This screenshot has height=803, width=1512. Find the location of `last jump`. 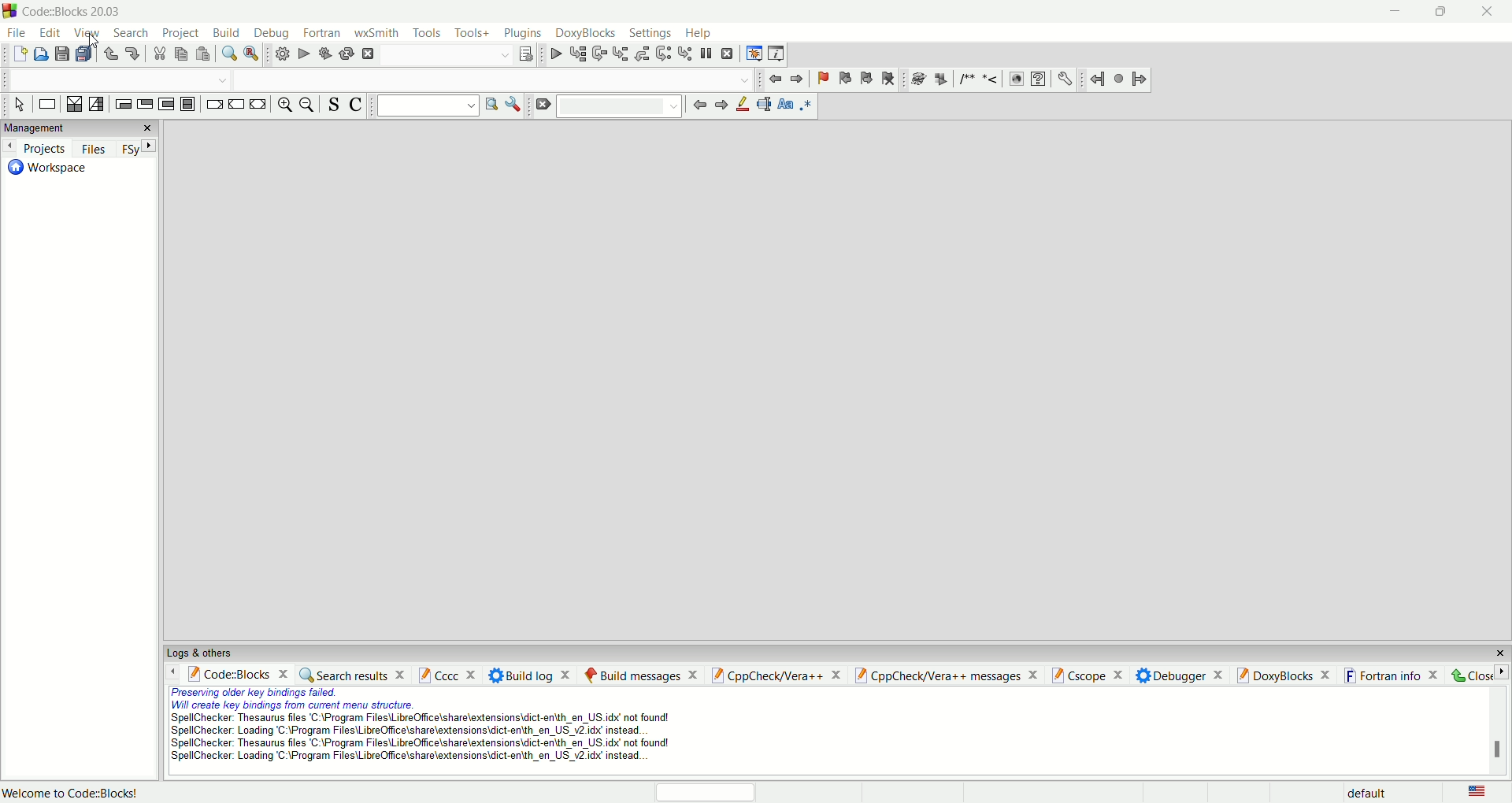

last jump is located at coordinates (1118, 79).